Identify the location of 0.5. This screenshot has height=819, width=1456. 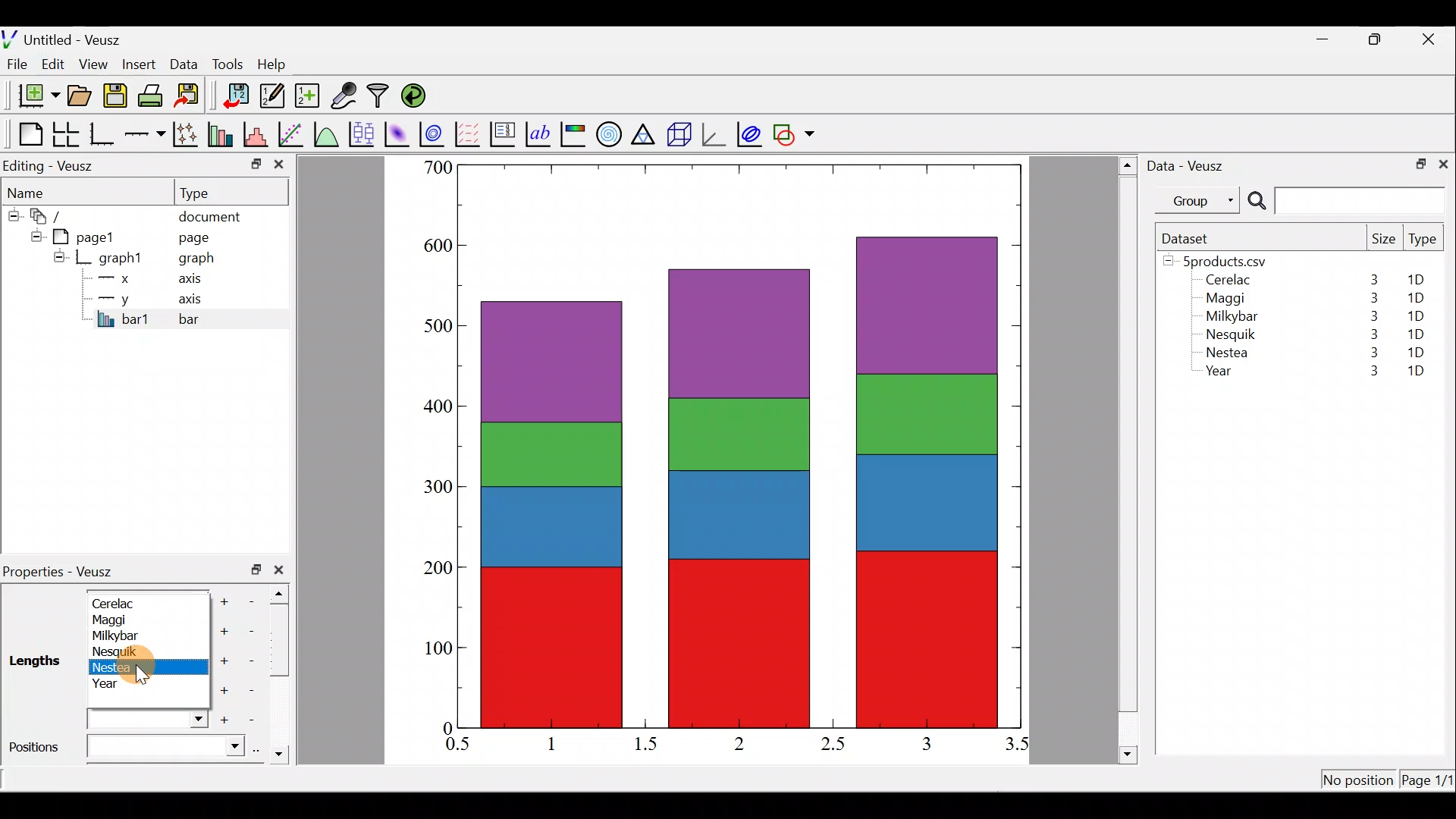
(458, 746).